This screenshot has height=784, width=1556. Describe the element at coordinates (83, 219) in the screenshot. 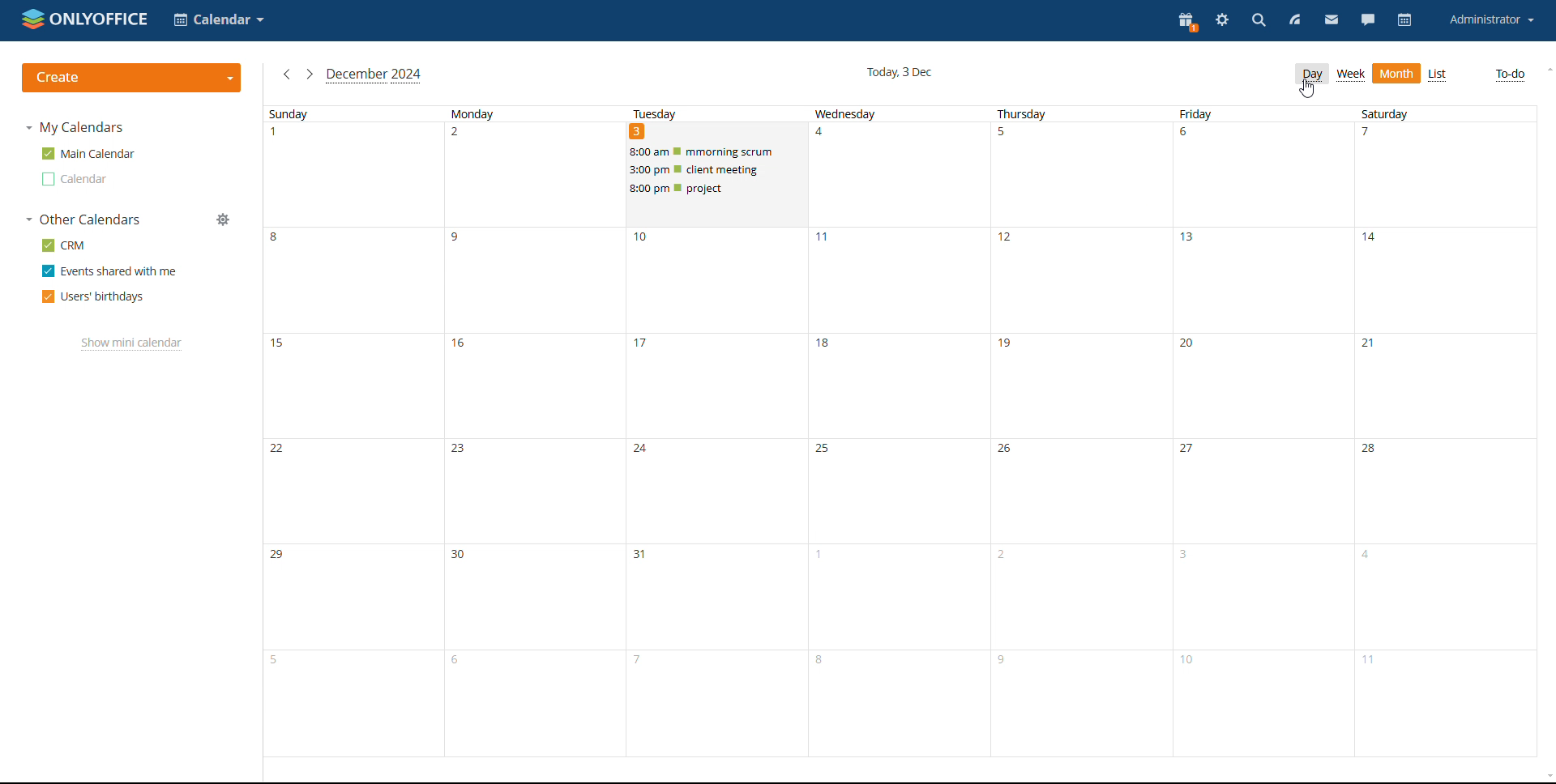

I see `other calendars` at that location.